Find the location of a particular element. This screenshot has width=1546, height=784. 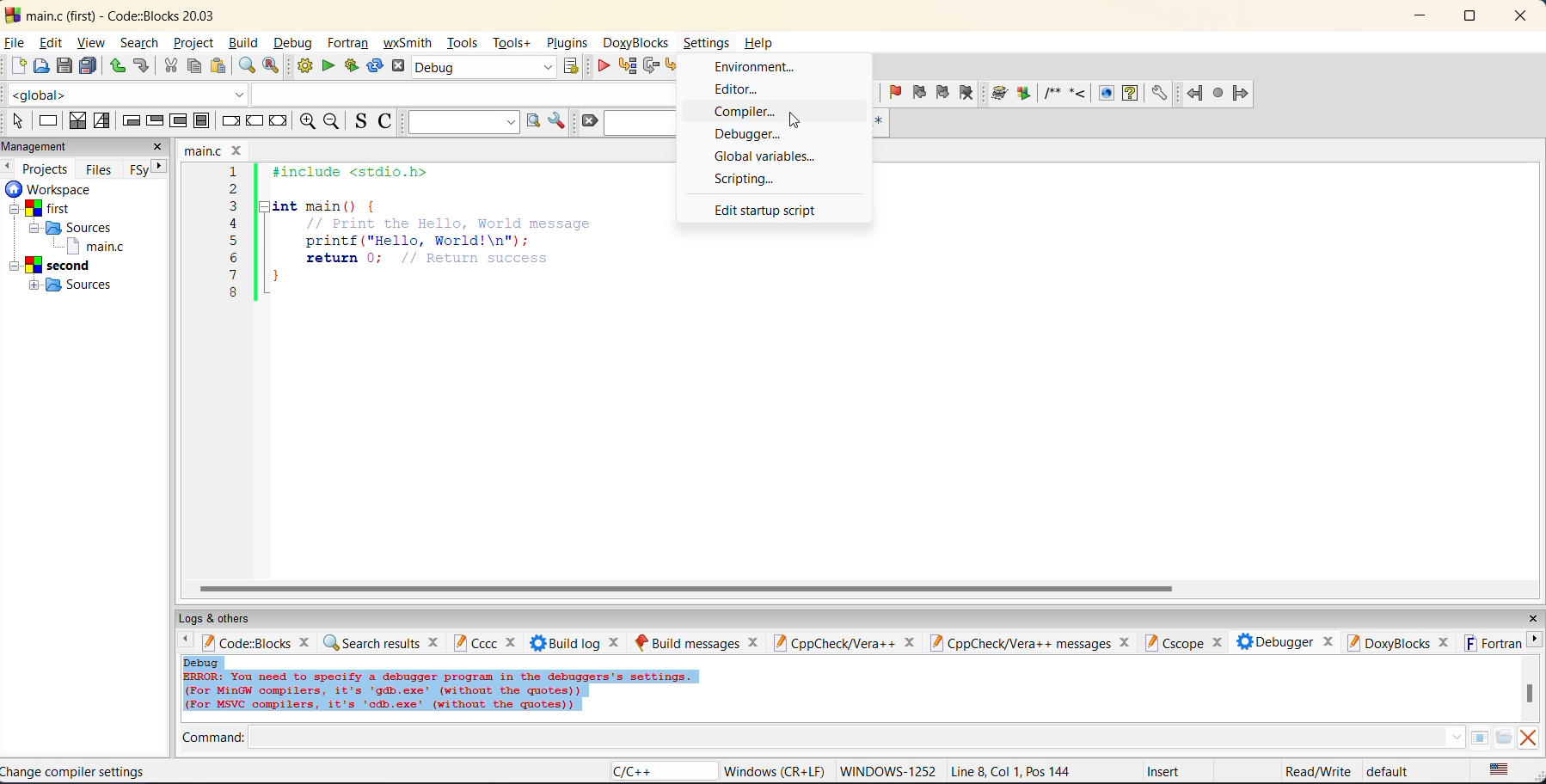

jump back is located at coordinates (1195, 95).